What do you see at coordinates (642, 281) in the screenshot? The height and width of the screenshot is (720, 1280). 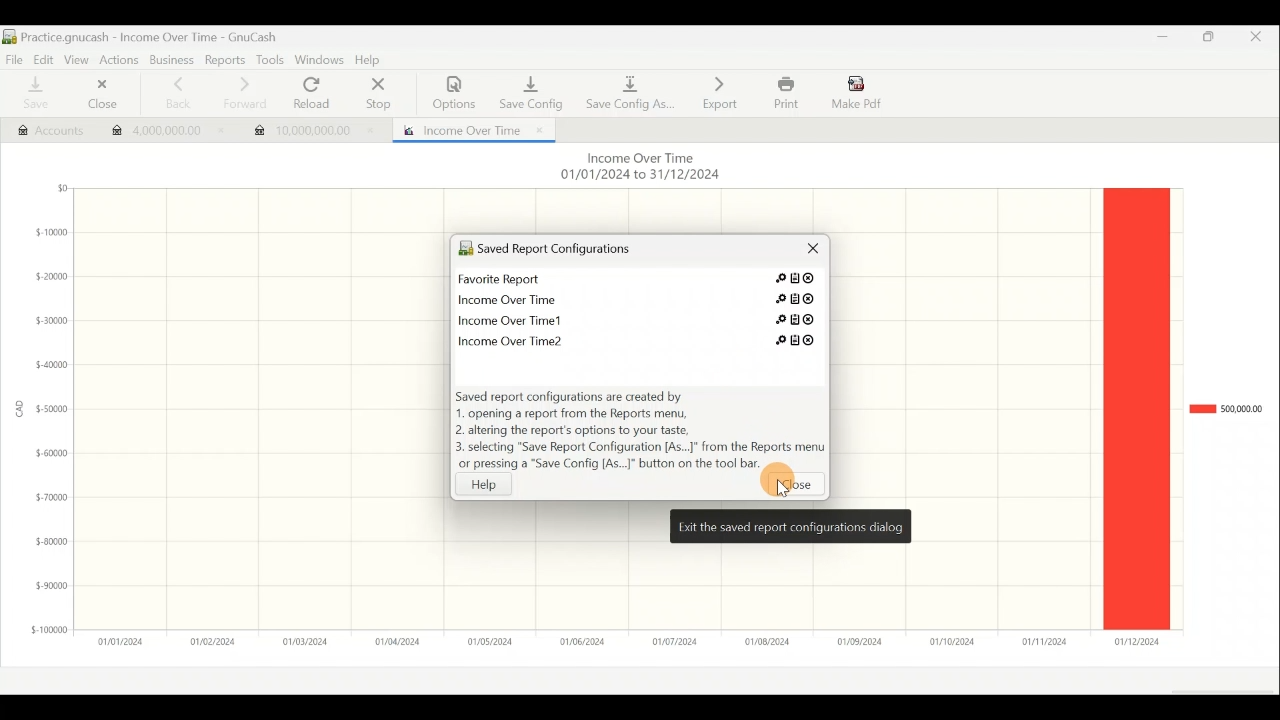 I see `Saved report 1` at bounding box center [642, 281].